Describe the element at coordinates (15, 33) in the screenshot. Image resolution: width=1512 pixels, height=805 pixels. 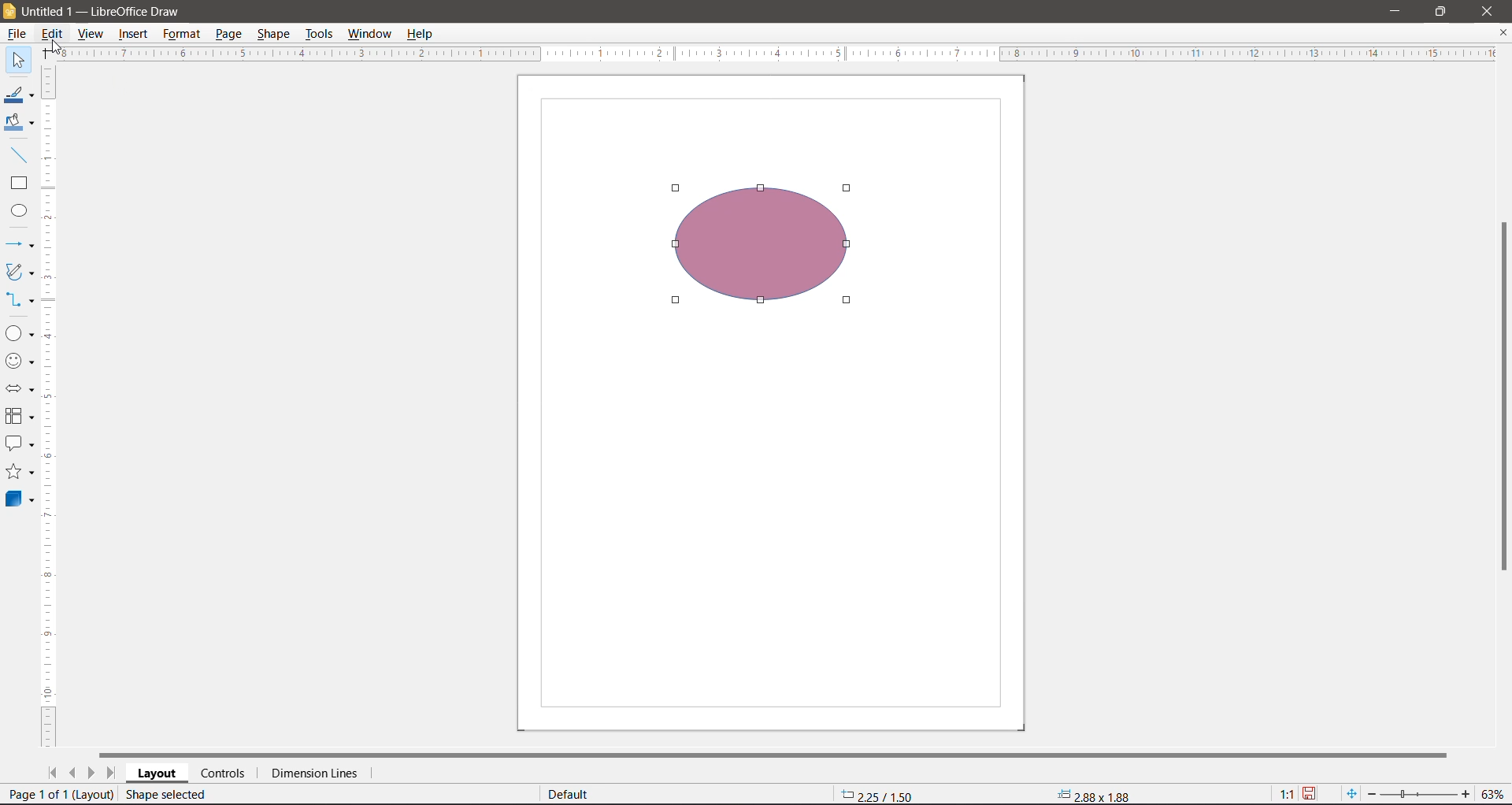
I see `File` at that location.